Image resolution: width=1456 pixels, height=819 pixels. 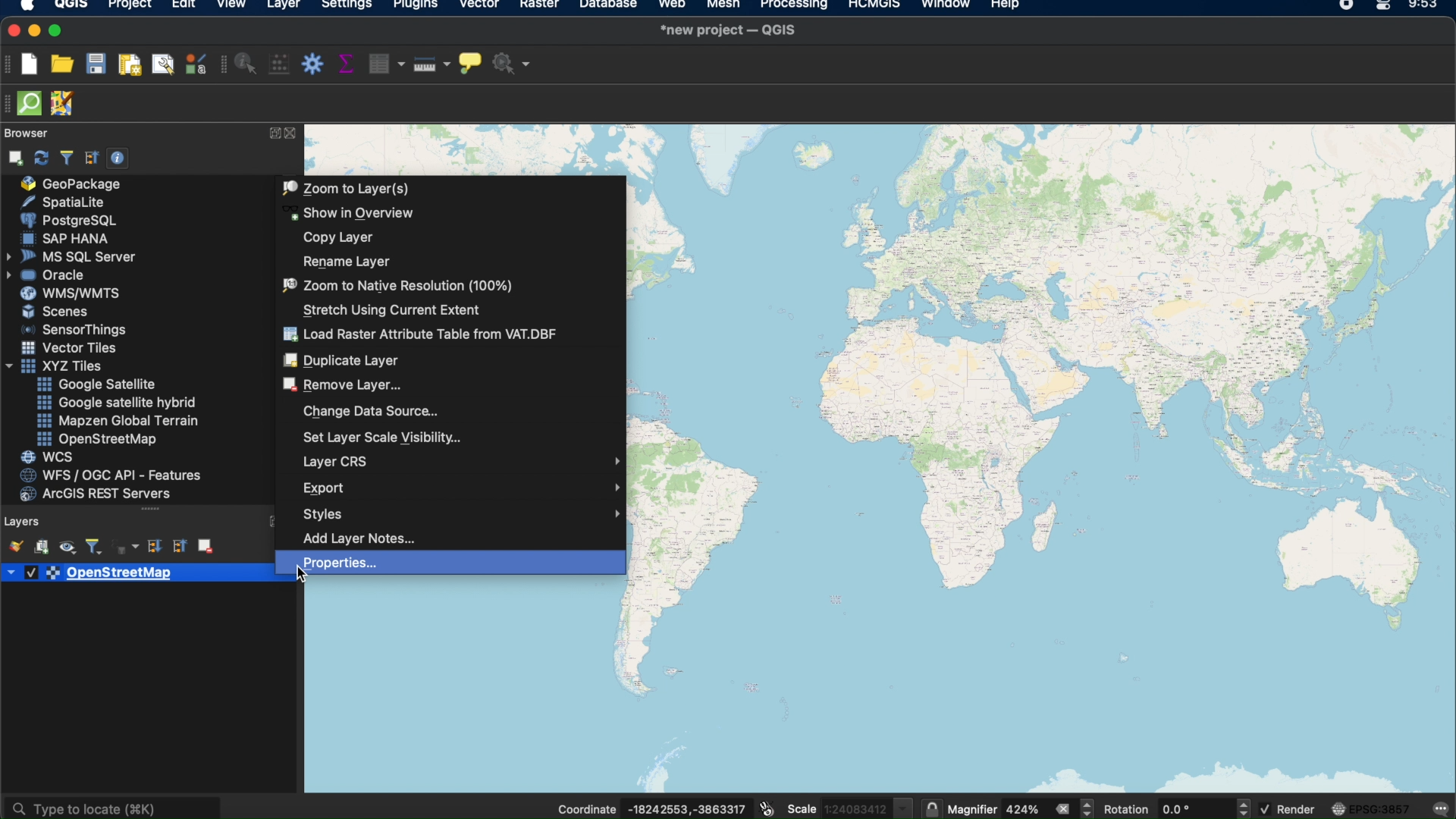 What do you see at coordinates (62, 105) in the screenshot?
I see `JOSM remote` at bounding box center [62, 105].